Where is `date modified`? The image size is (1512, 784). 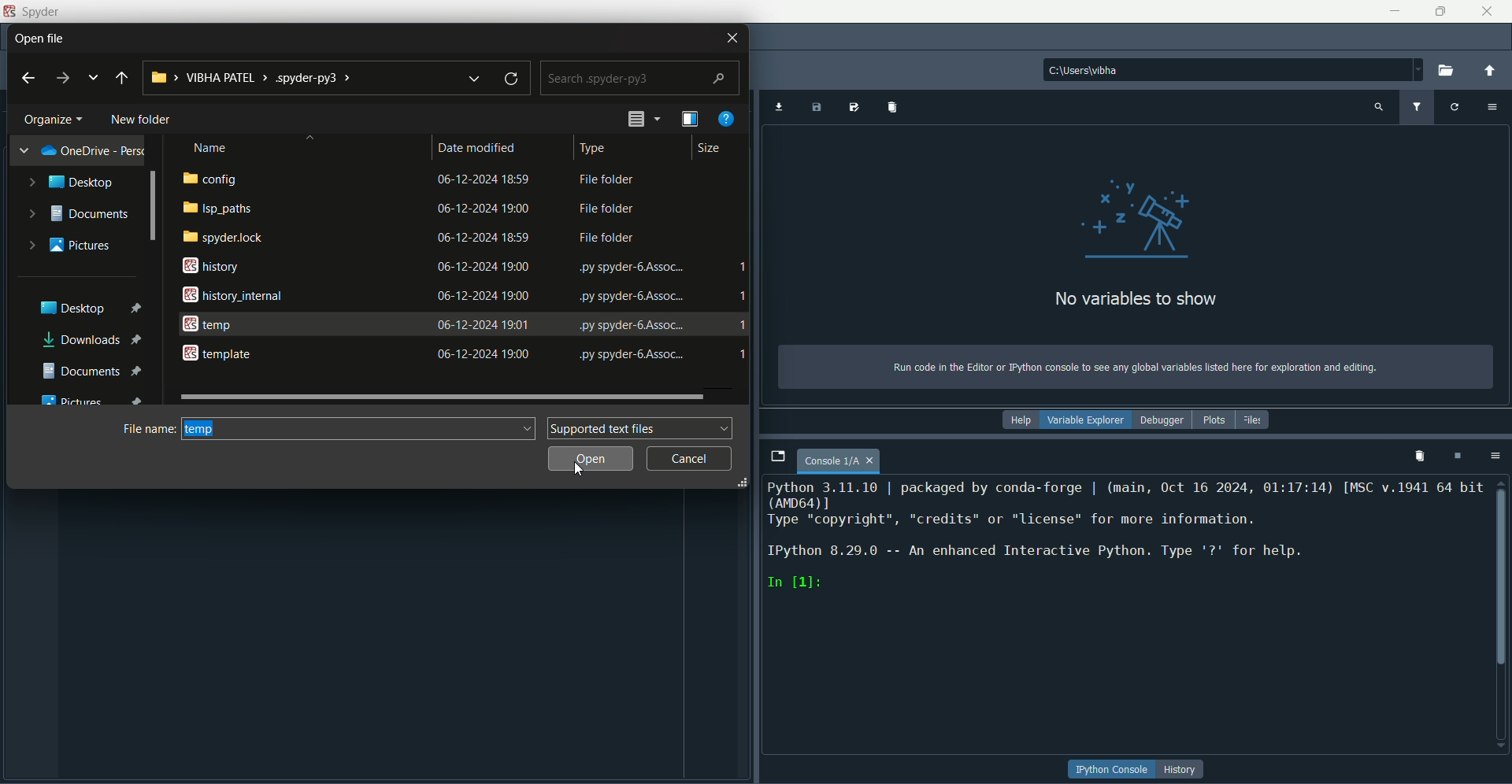 date modified is located at coordinates (480, 146).